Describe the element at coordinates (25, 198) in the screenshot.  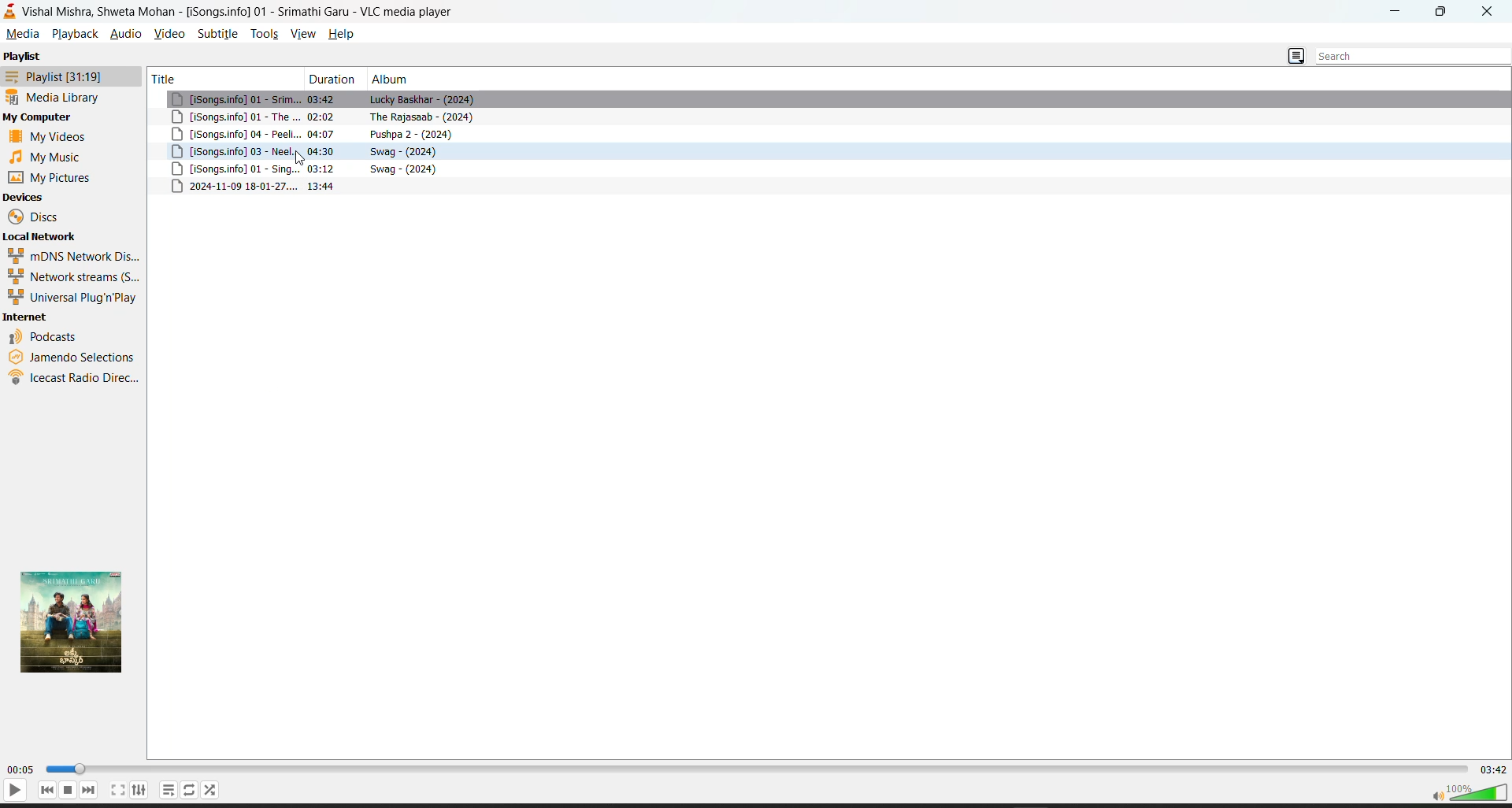
I see `devices` at that location.